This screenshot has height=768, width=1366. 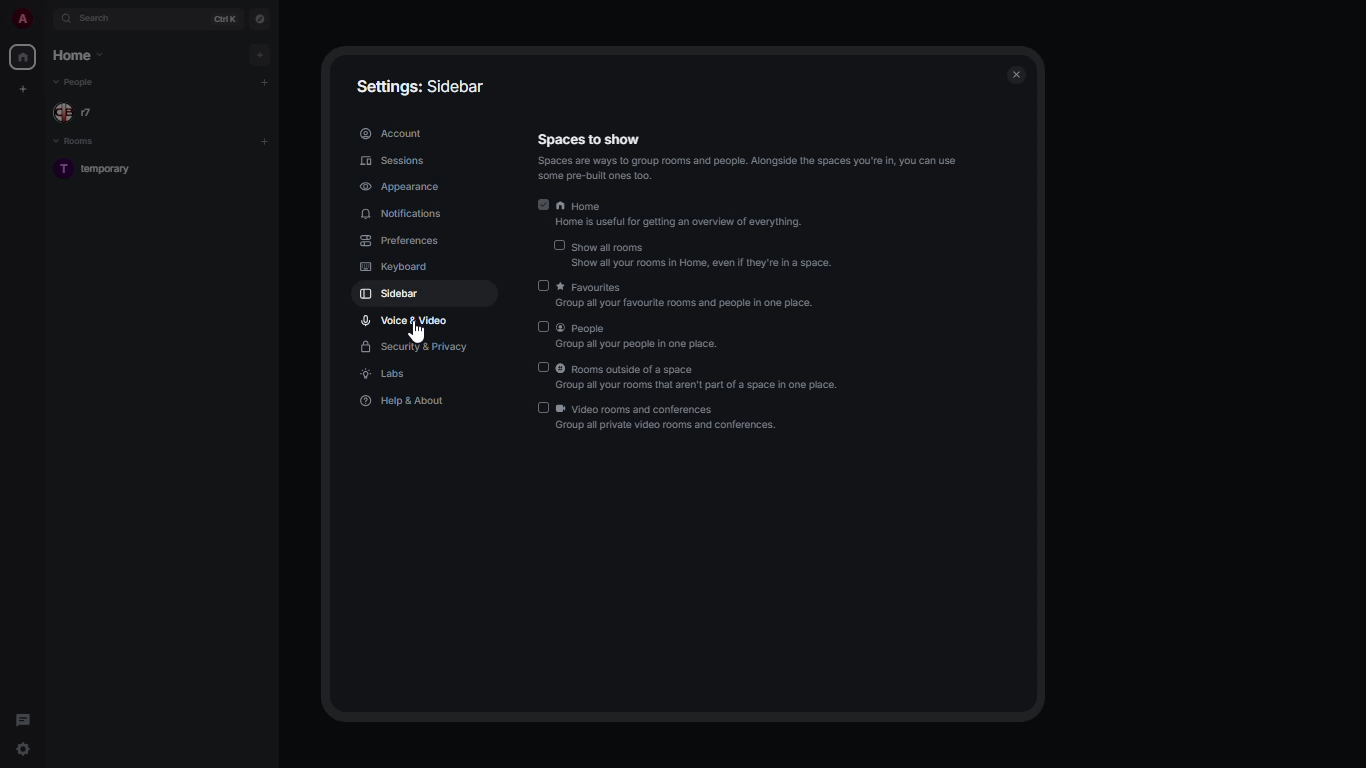 I want to click on create new space, so click(x=27, y=87).